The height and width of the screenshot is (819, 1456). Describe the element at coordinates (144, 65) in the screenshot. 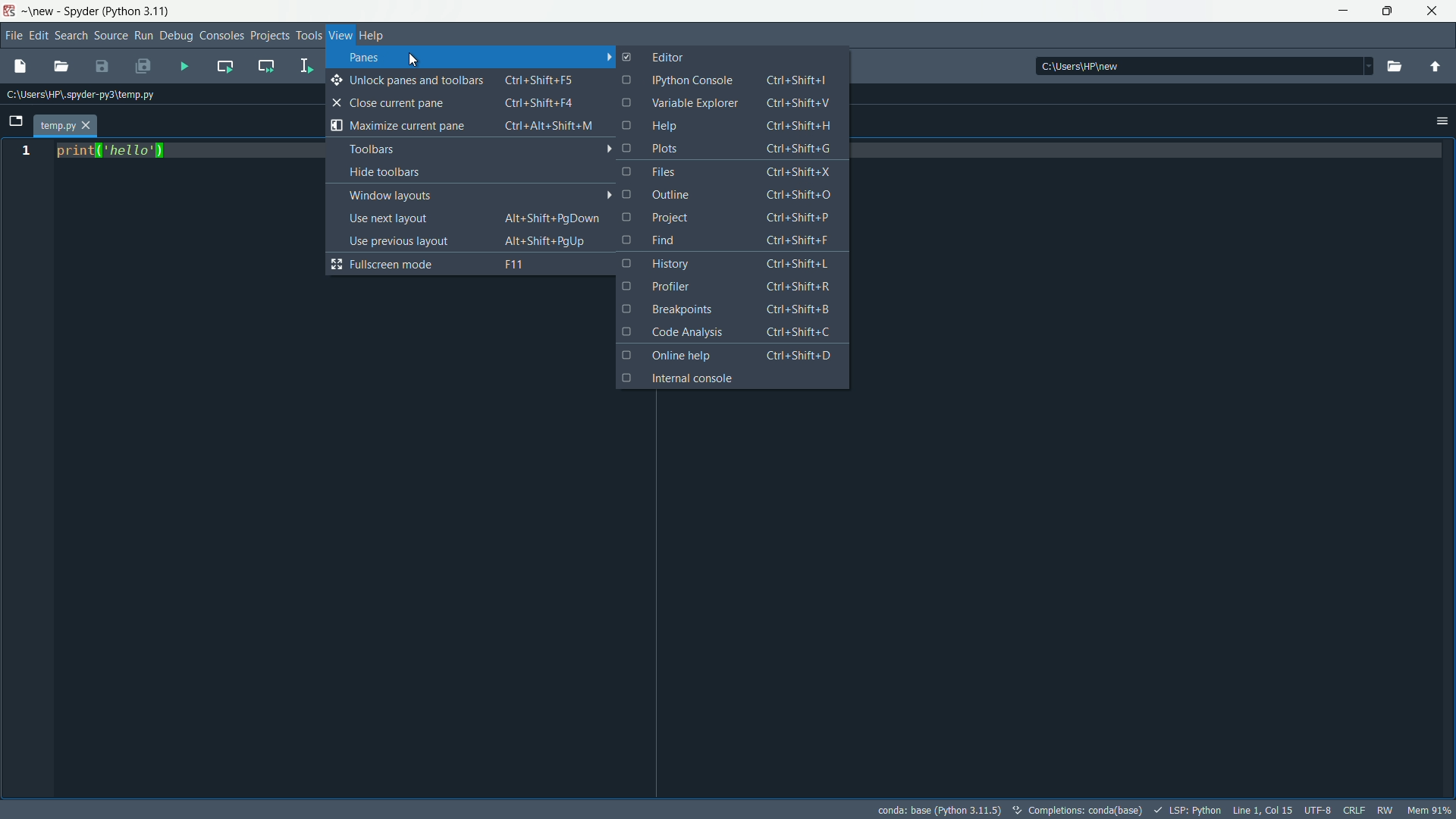

I see `save all files` at that location.